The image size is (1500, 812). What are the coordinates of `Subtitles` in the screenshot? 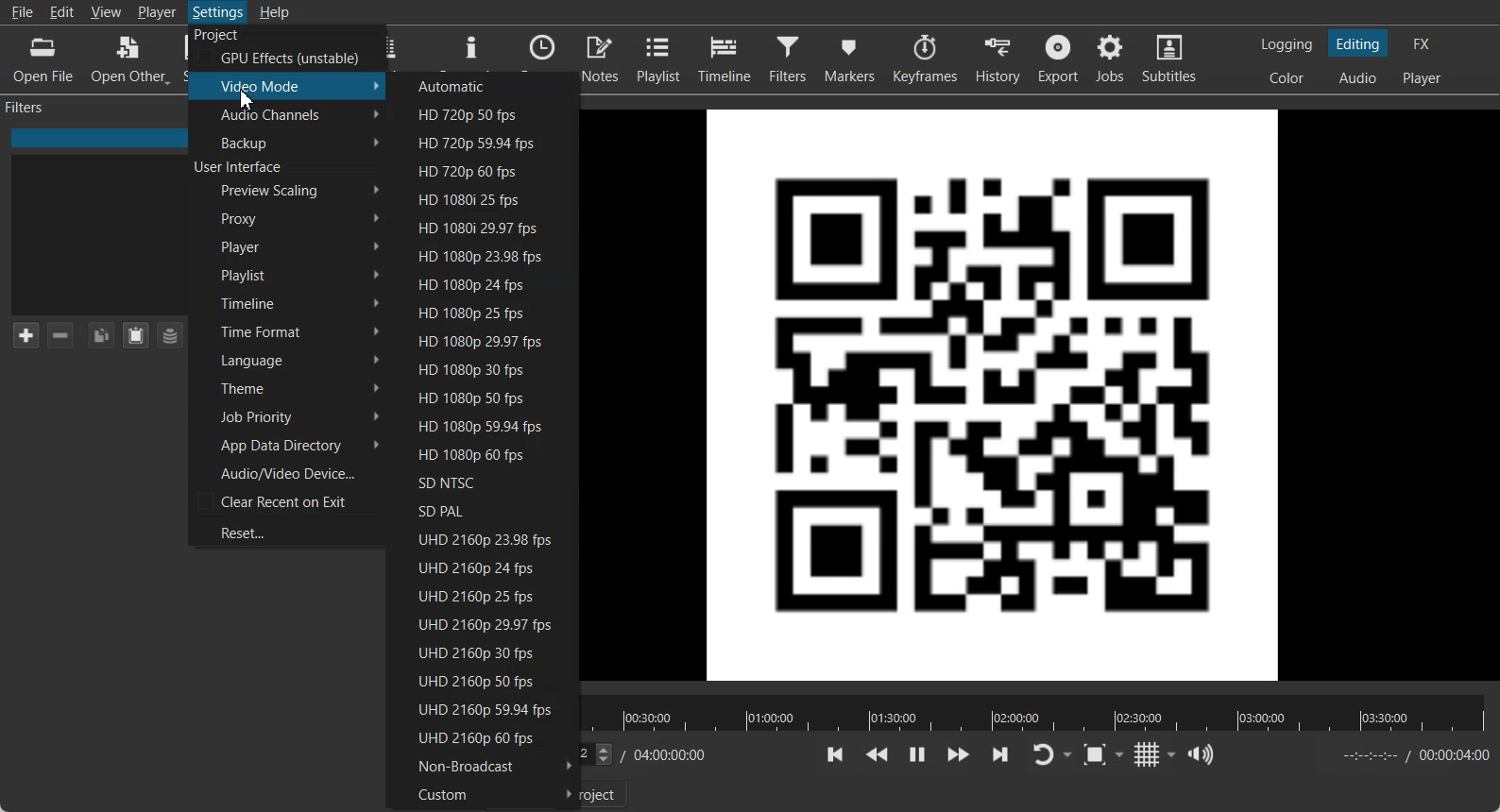 It's located at (1171, 59).